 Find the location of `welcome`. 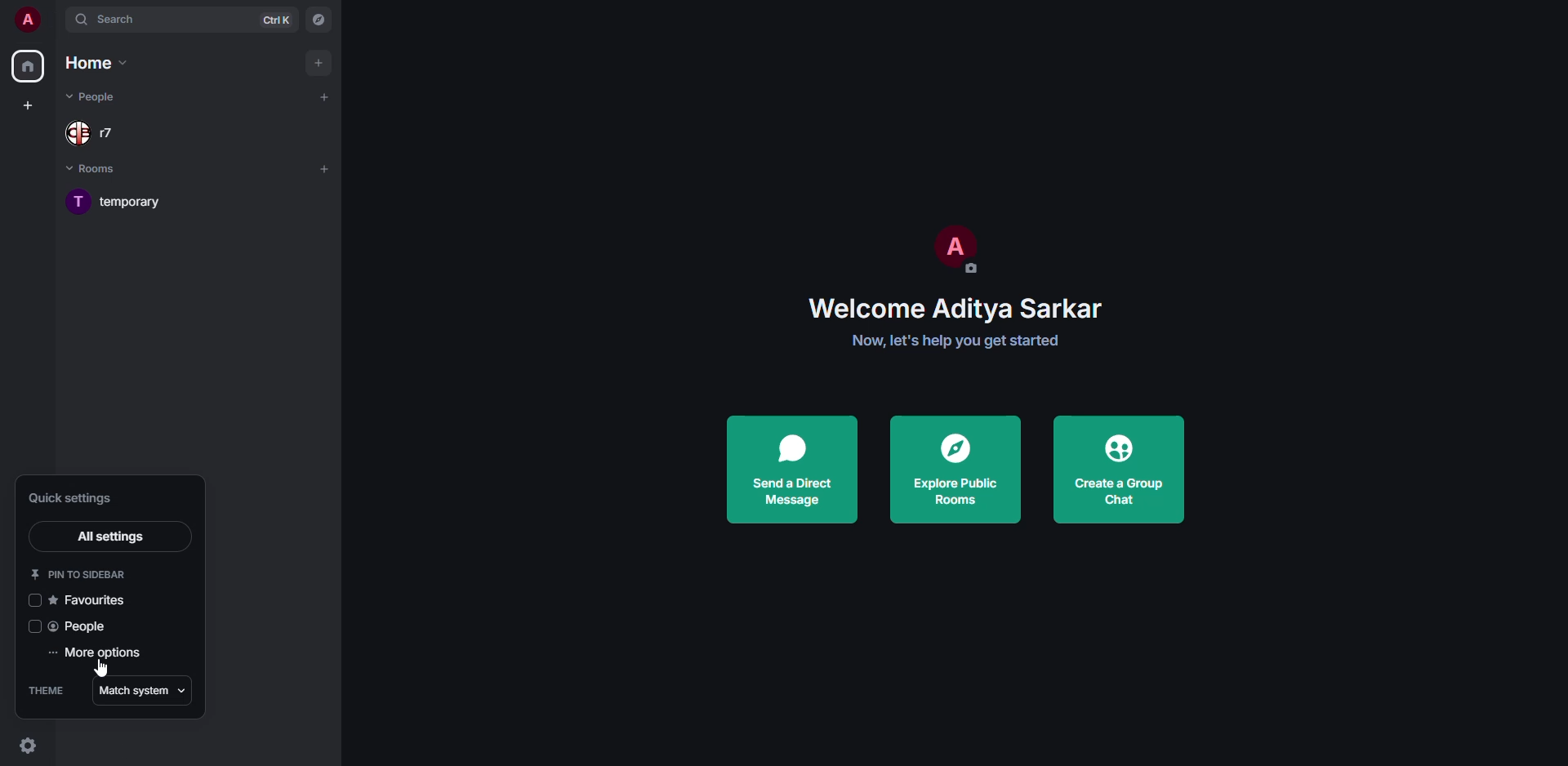

welcome is located at coordinates (958, 310).